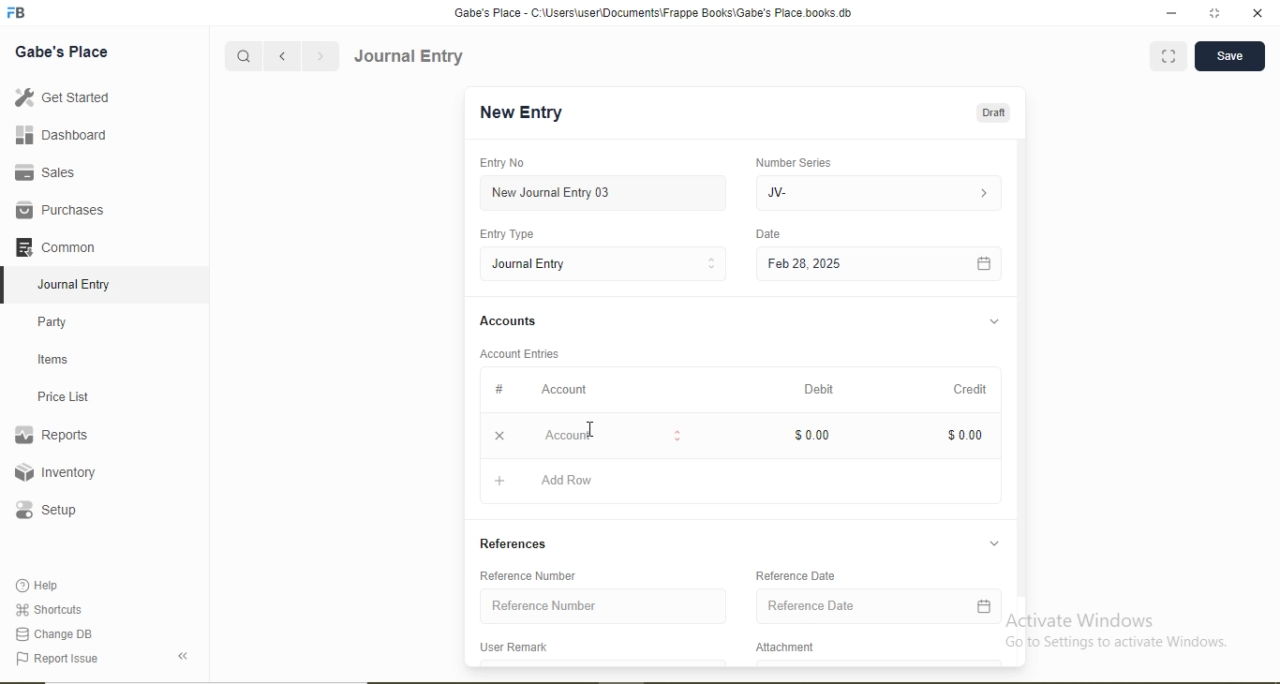 This screenshot has height=684, width=1280. I want to click on Stepper Buttons, so click(712, 264).